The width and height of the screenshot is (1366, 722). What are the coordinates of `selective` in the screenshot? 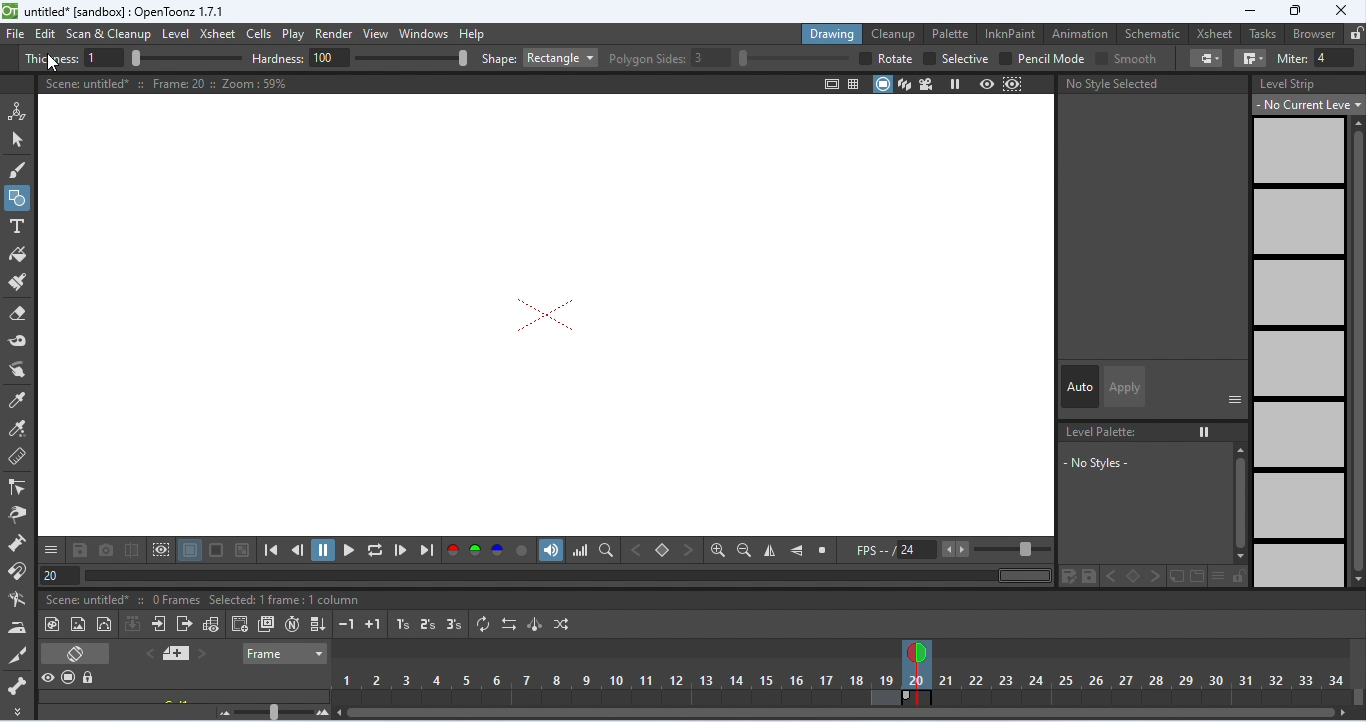 It's located at (955, 58).